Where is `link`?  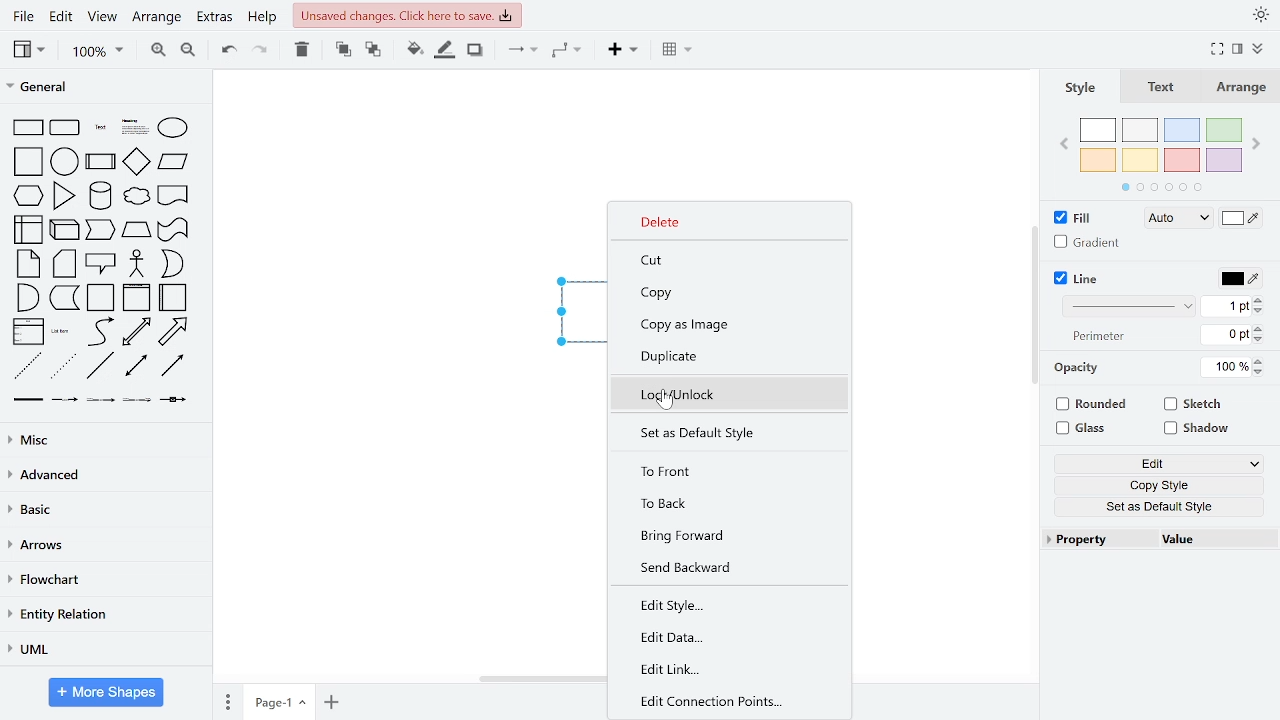
link is located at coordinates (29, 399).